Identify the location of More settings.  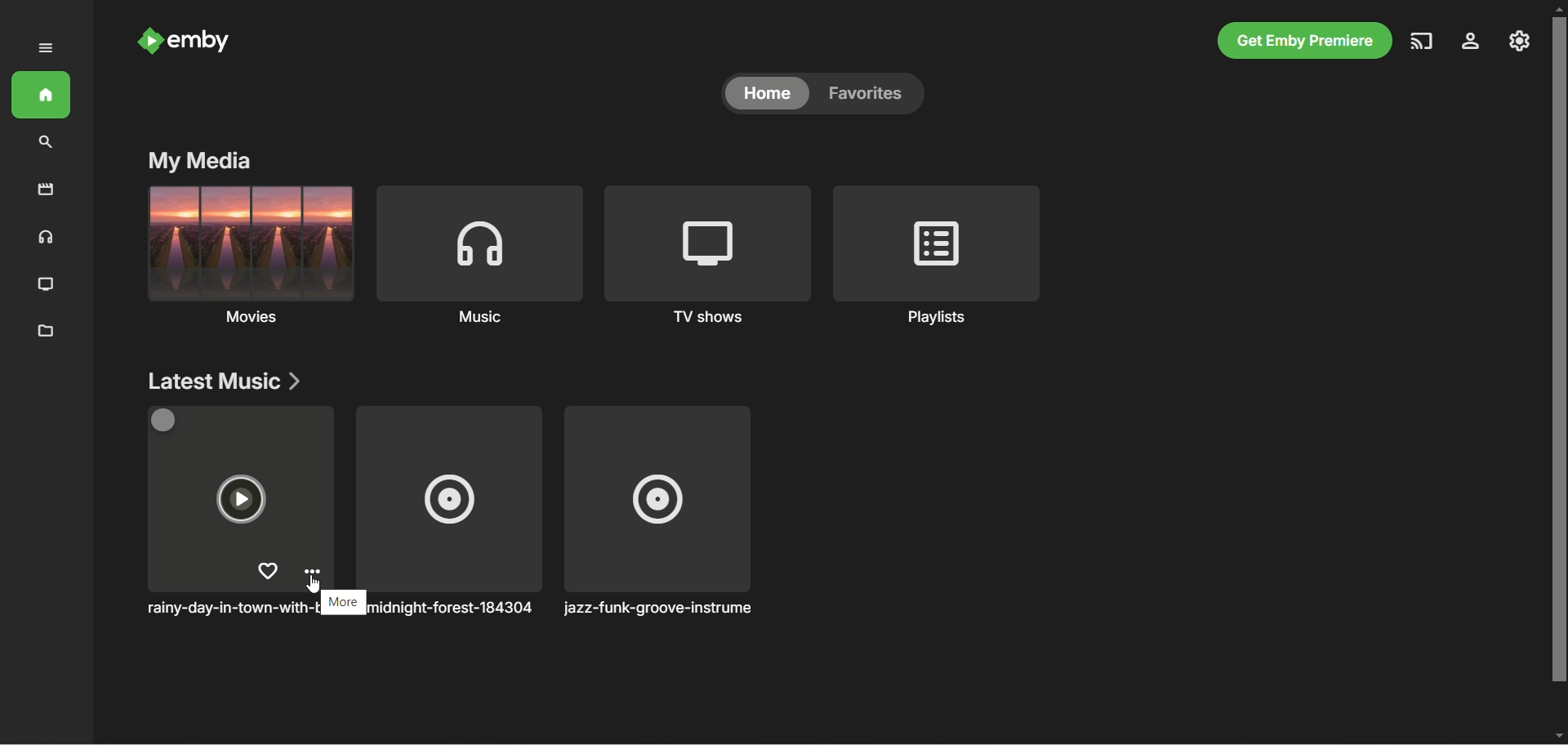
(312, 572).